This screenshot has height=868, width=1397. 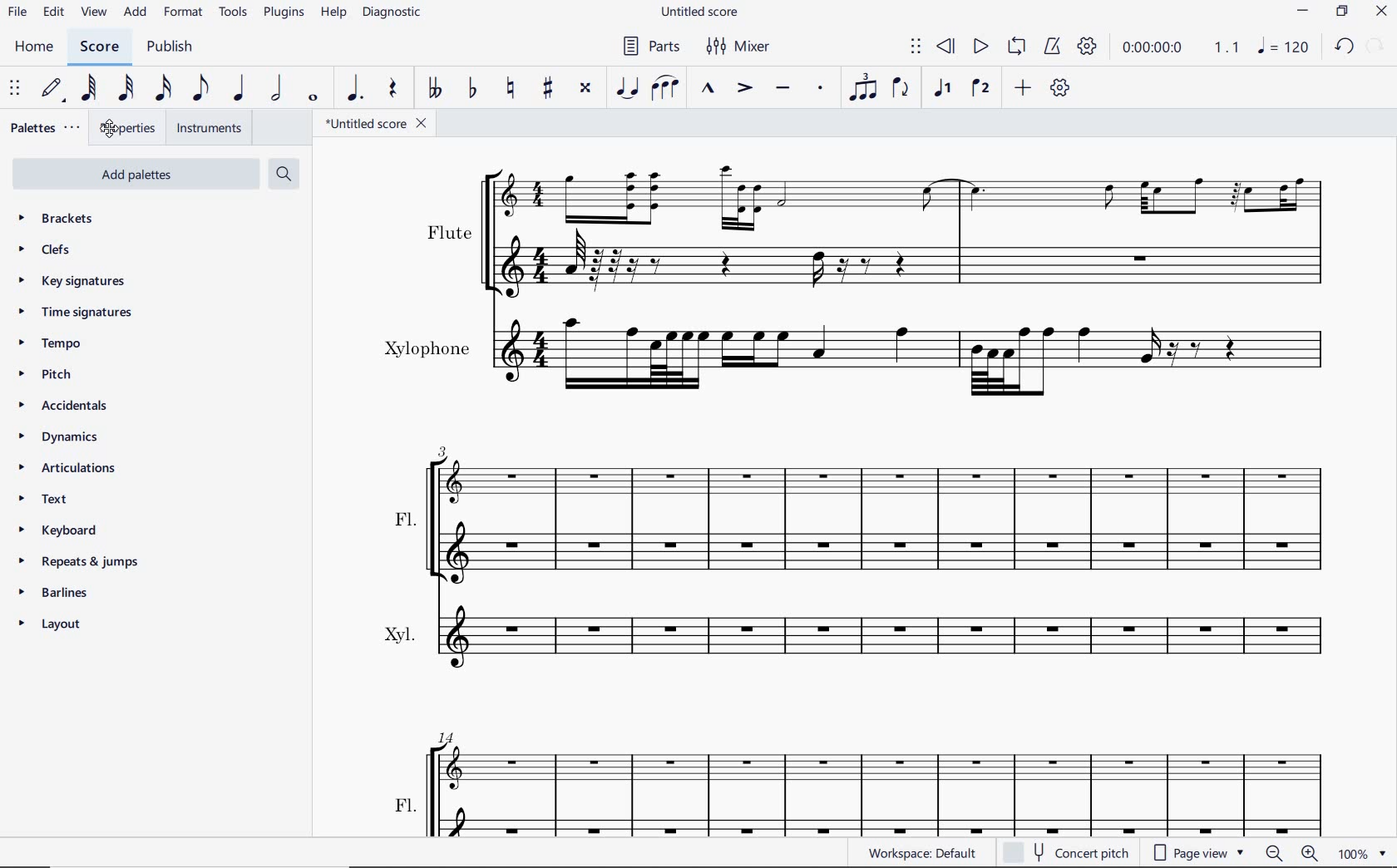 What do you see at coordinates (1017, 47) in the screenshot?
I see `LOOP PLAYBACK` at bounding box center [1017, 47].